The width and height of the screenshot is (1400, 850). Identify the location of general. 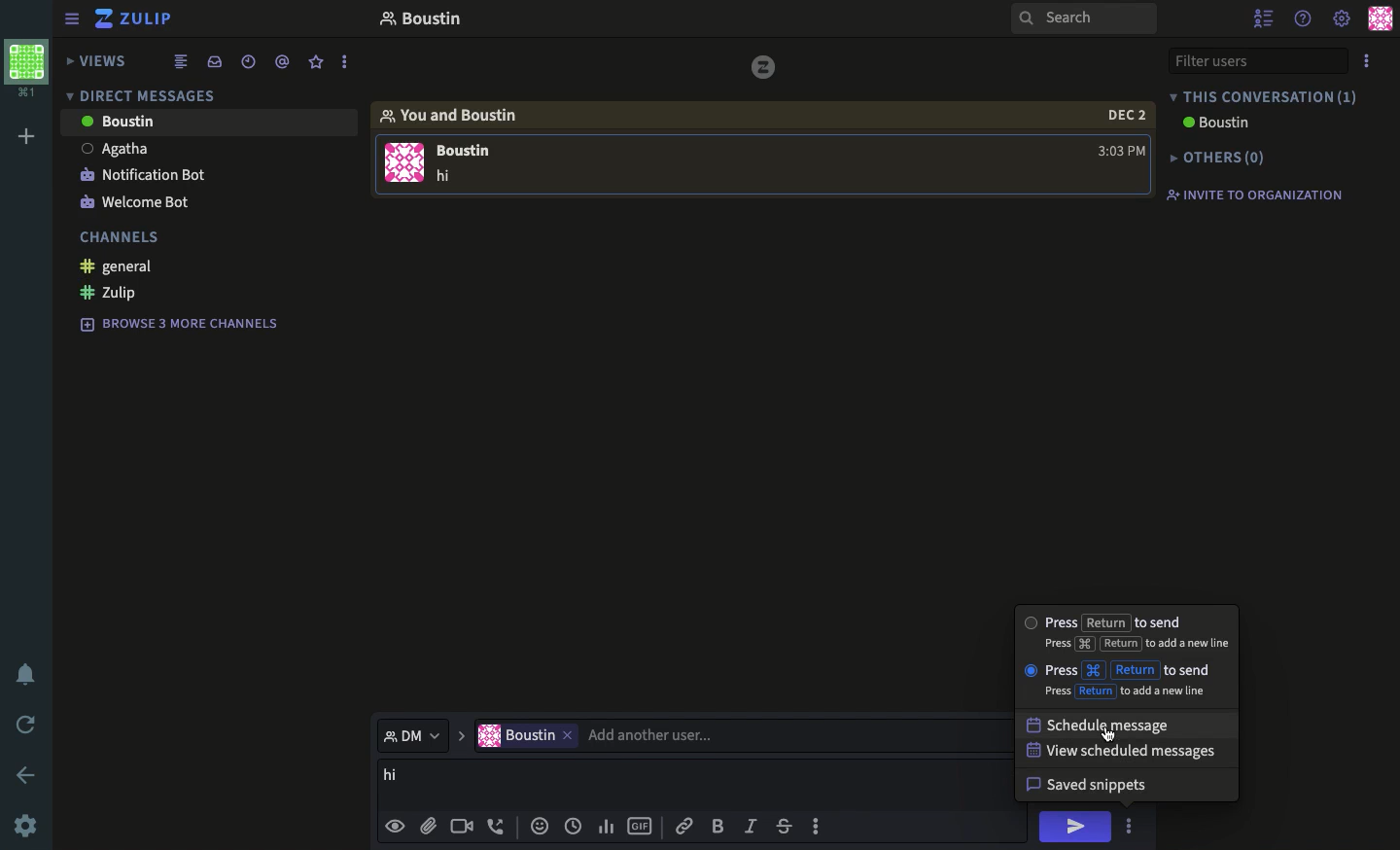
(116, 267).